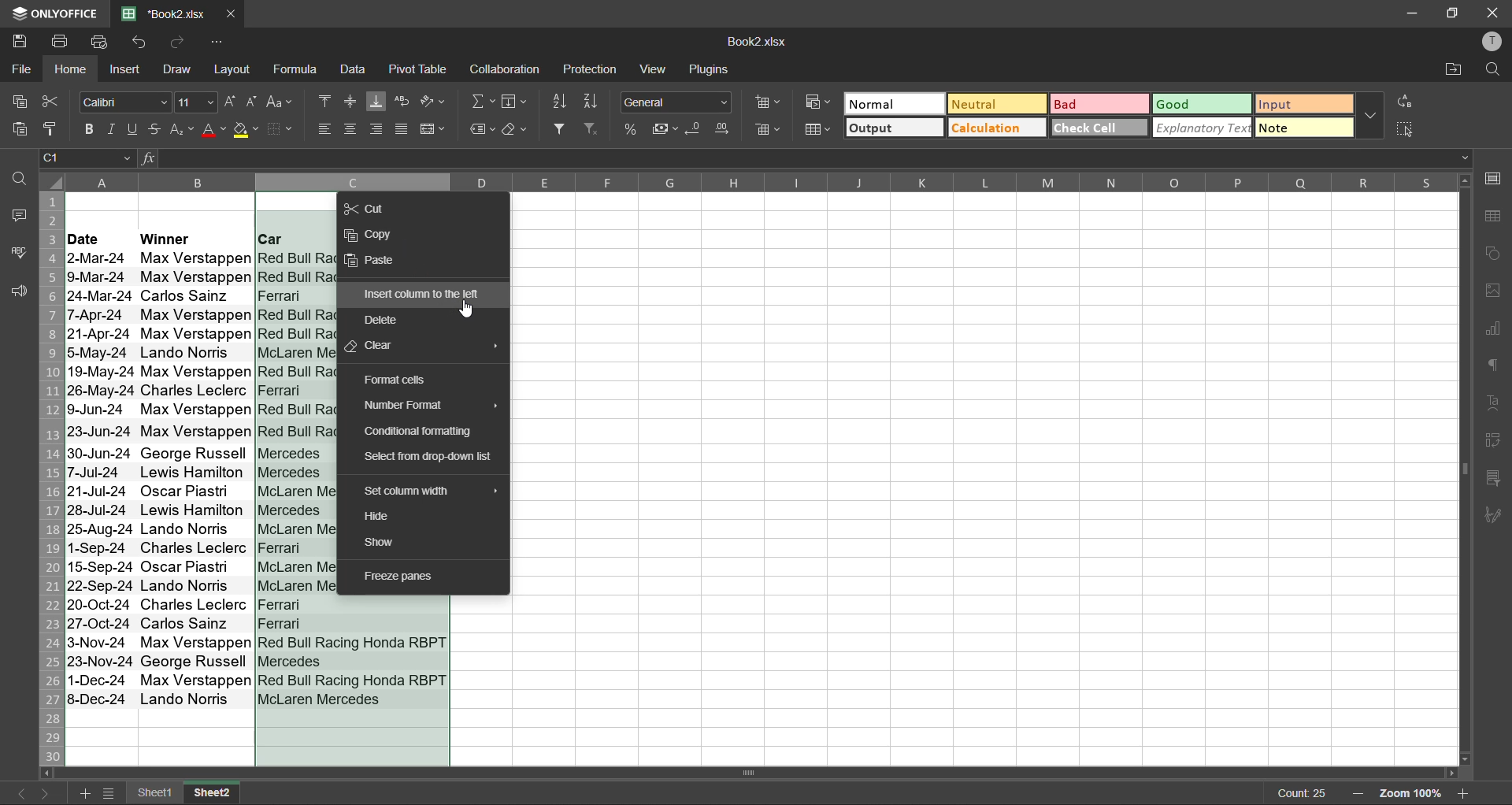  I want to click on maximize, so click(1452, 13).